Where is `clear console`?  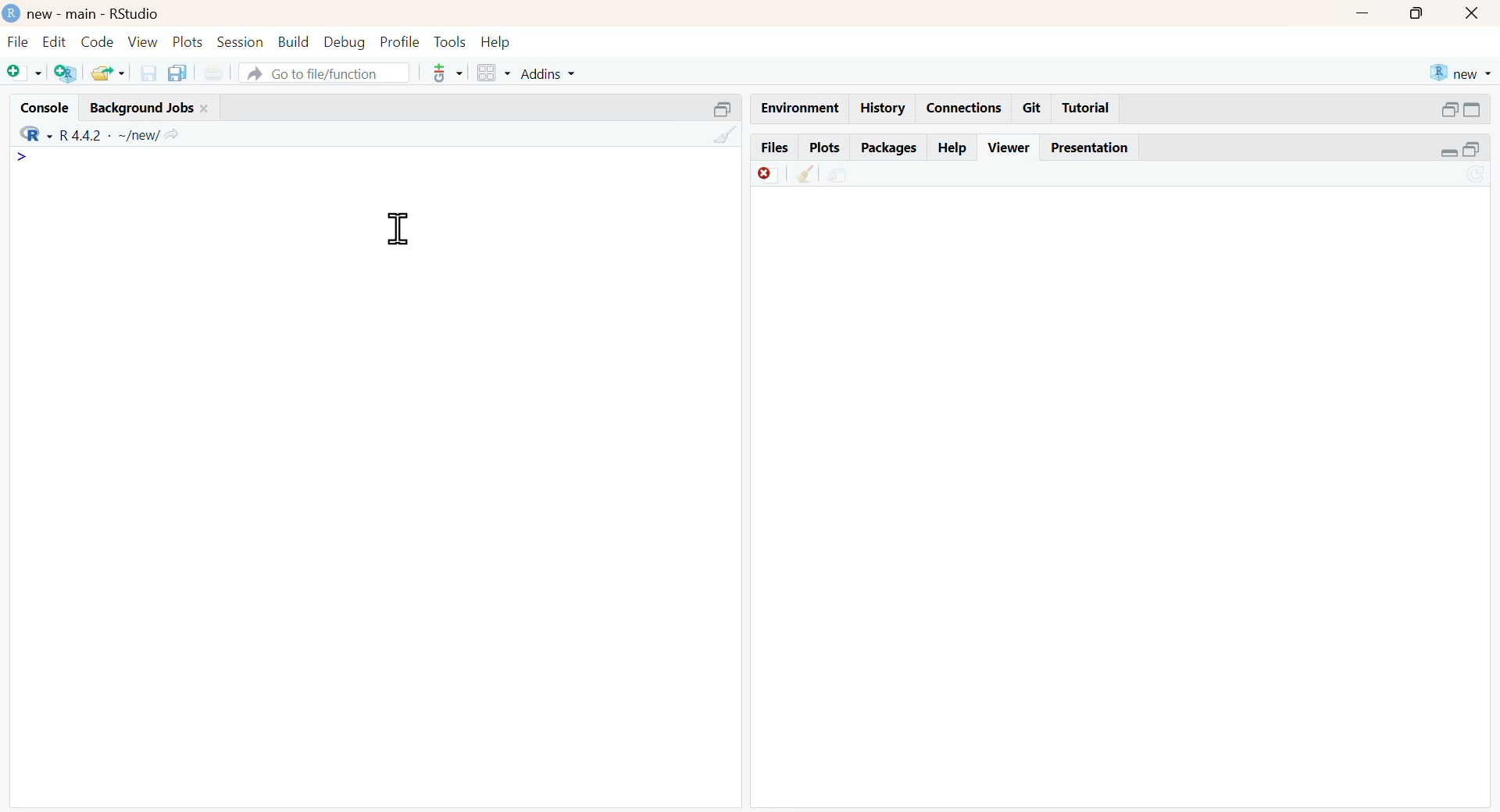
clear console is located at coordinates (716, 136).